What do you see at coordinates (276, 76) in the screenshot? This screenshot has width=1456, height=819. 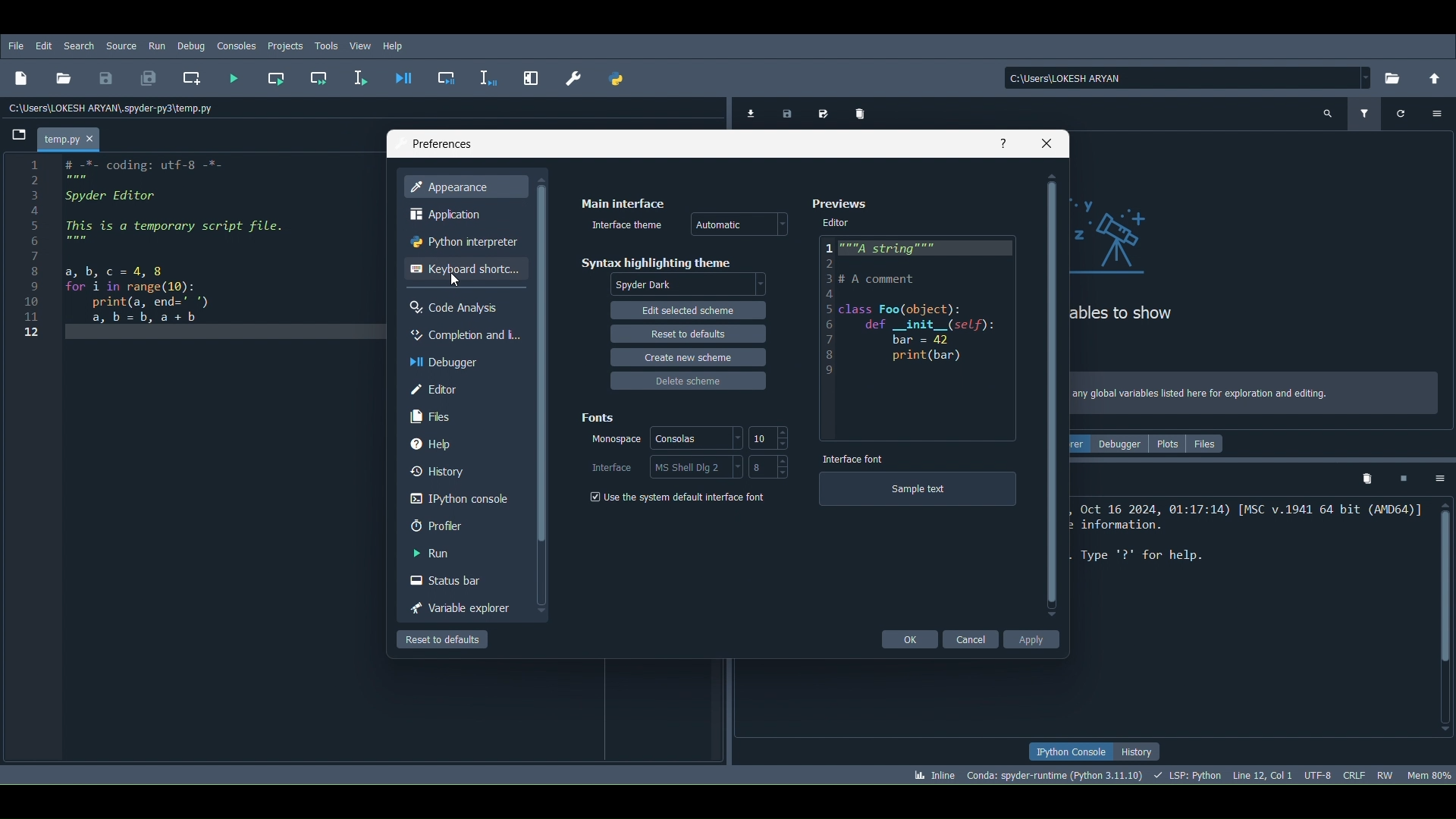 I see `Run current cell (Ctrl + Return)` at bounding box center [276, 76].